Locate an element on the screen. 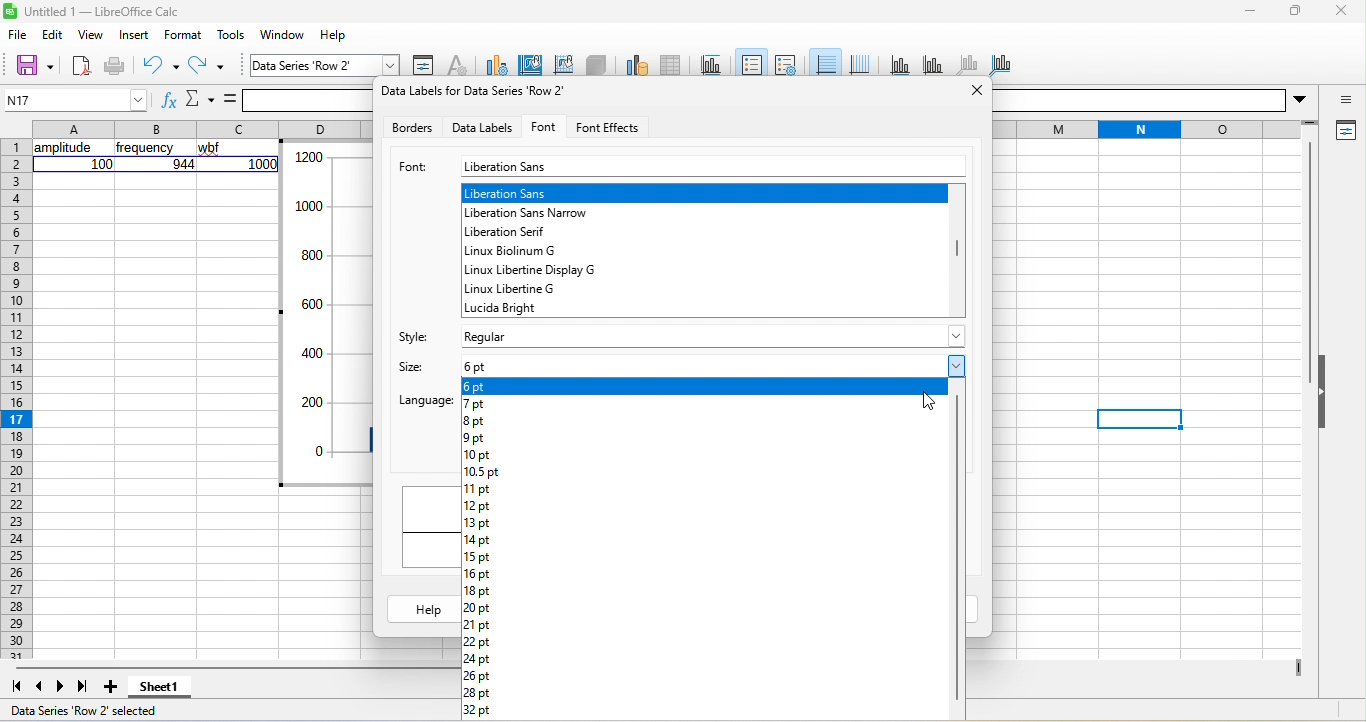 This screenshot has height=722, width=1366. data table is located at coordinates (670, 64).